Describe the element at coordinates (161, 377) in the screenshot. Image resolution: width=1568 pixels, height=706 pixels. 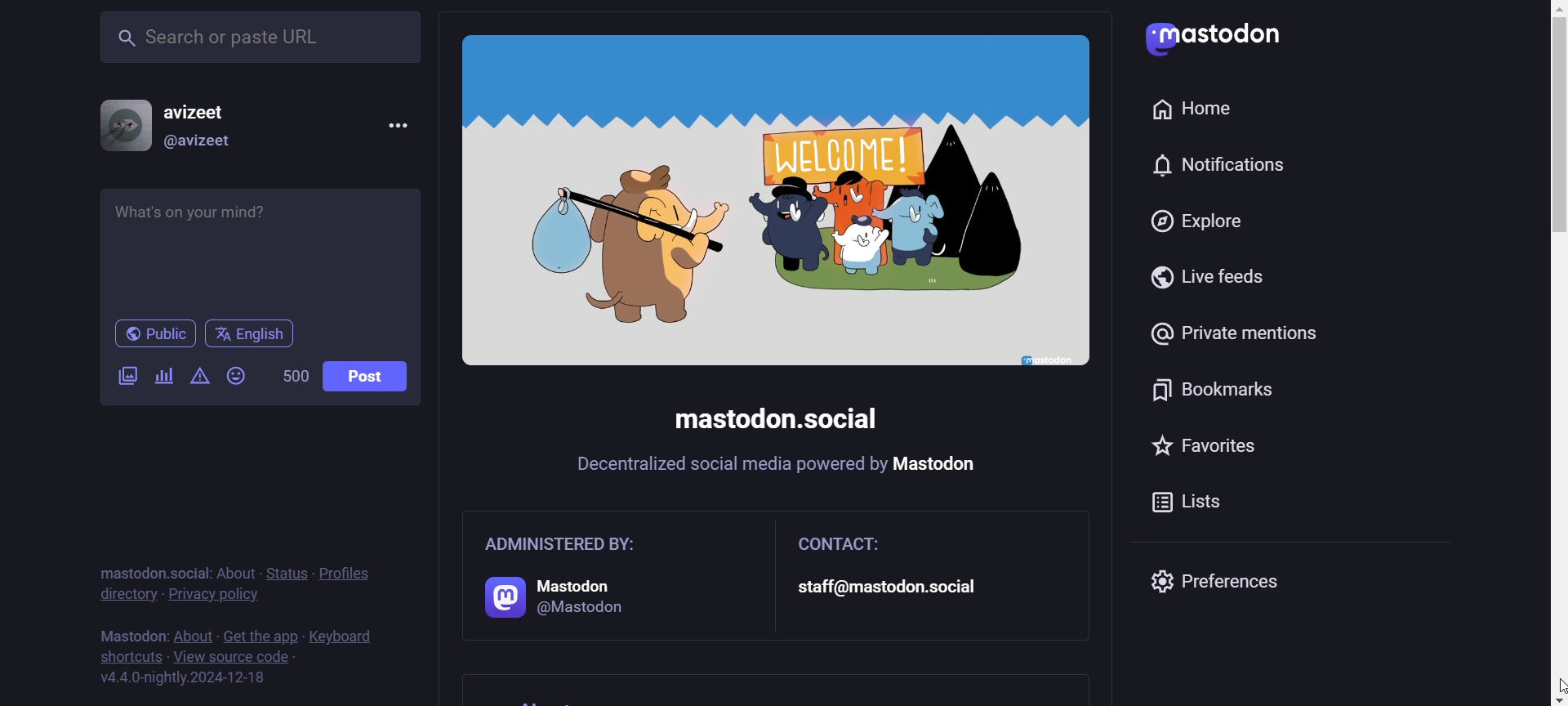
I see `add a poll` at that location.